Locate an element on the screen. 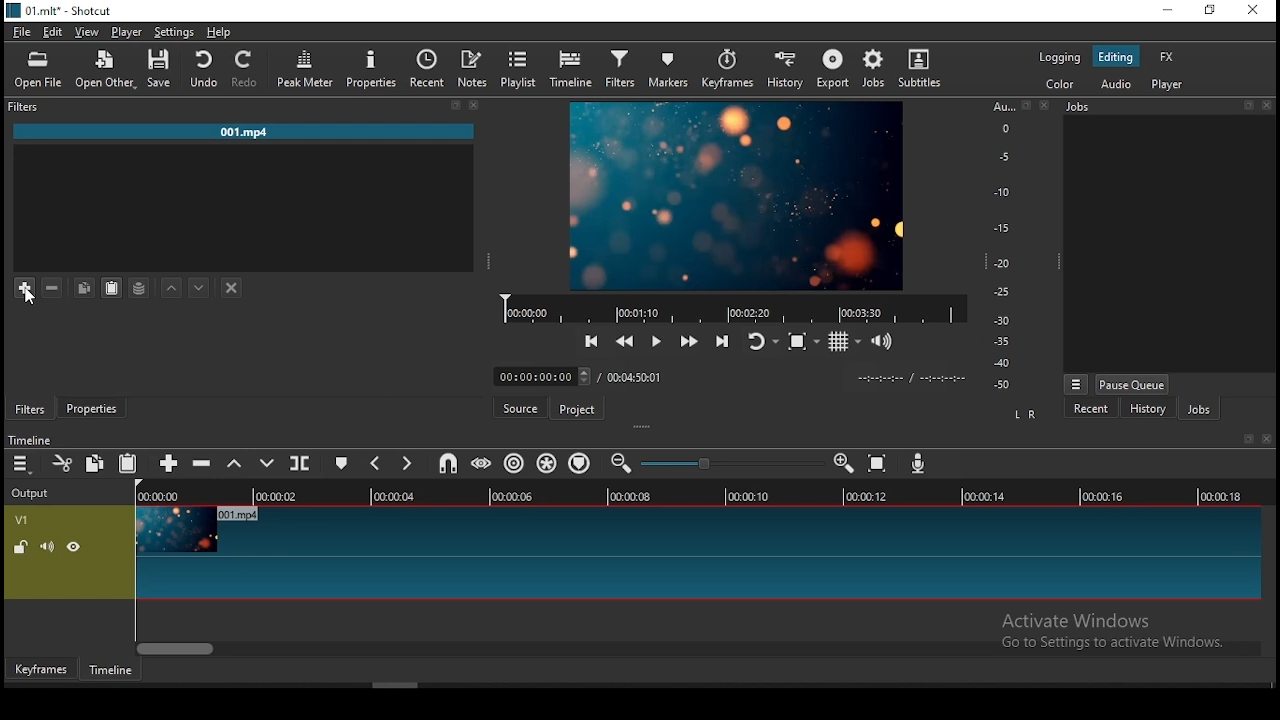 The height and width of the screenshot is (720, 1280). Output is located at coordinates (36, 493).